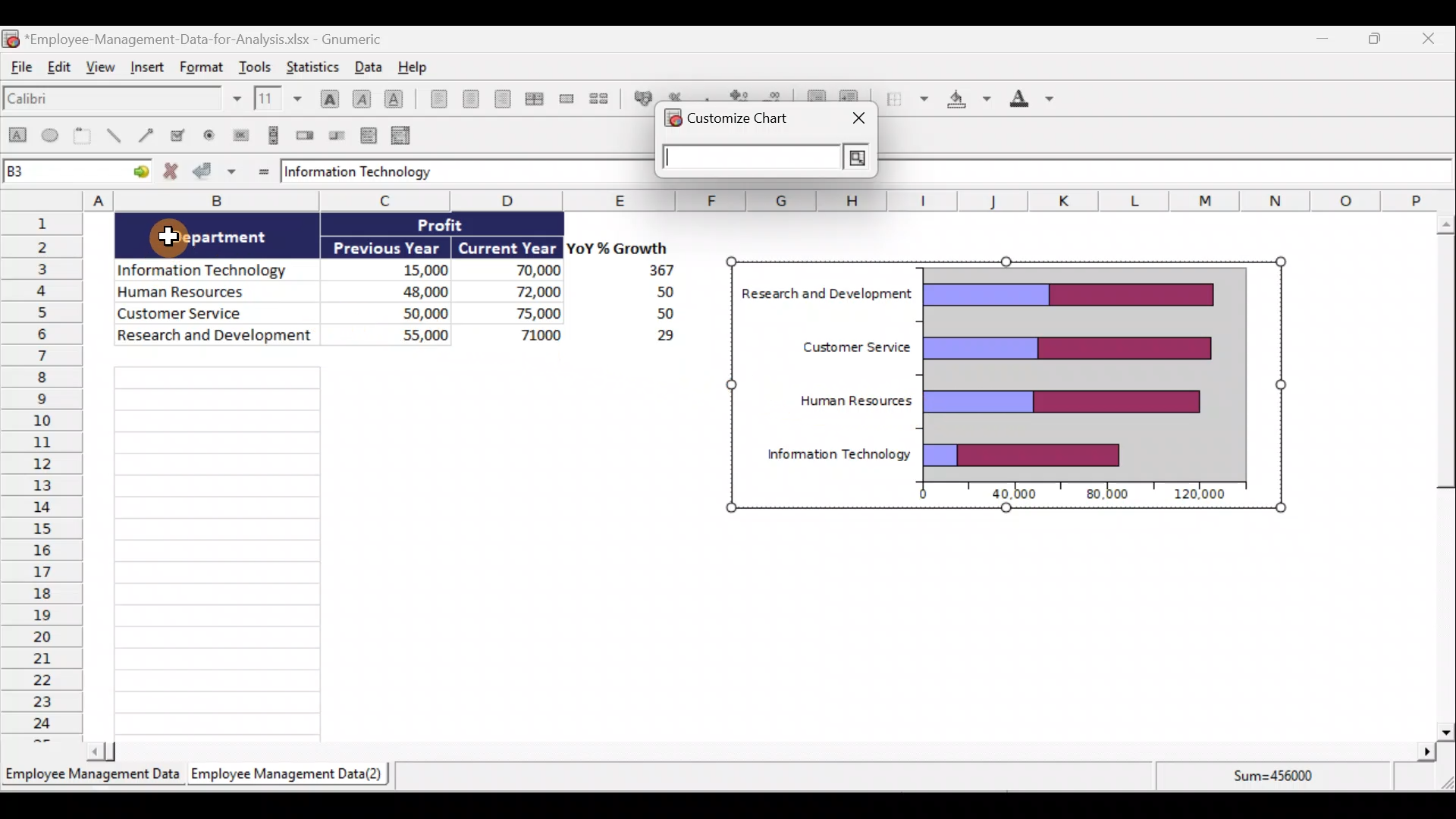 This screenshot has height=819, width=1456. Describe the element at coordinates (215, 339) in the screenshot. I see `Research and Development` at that location.